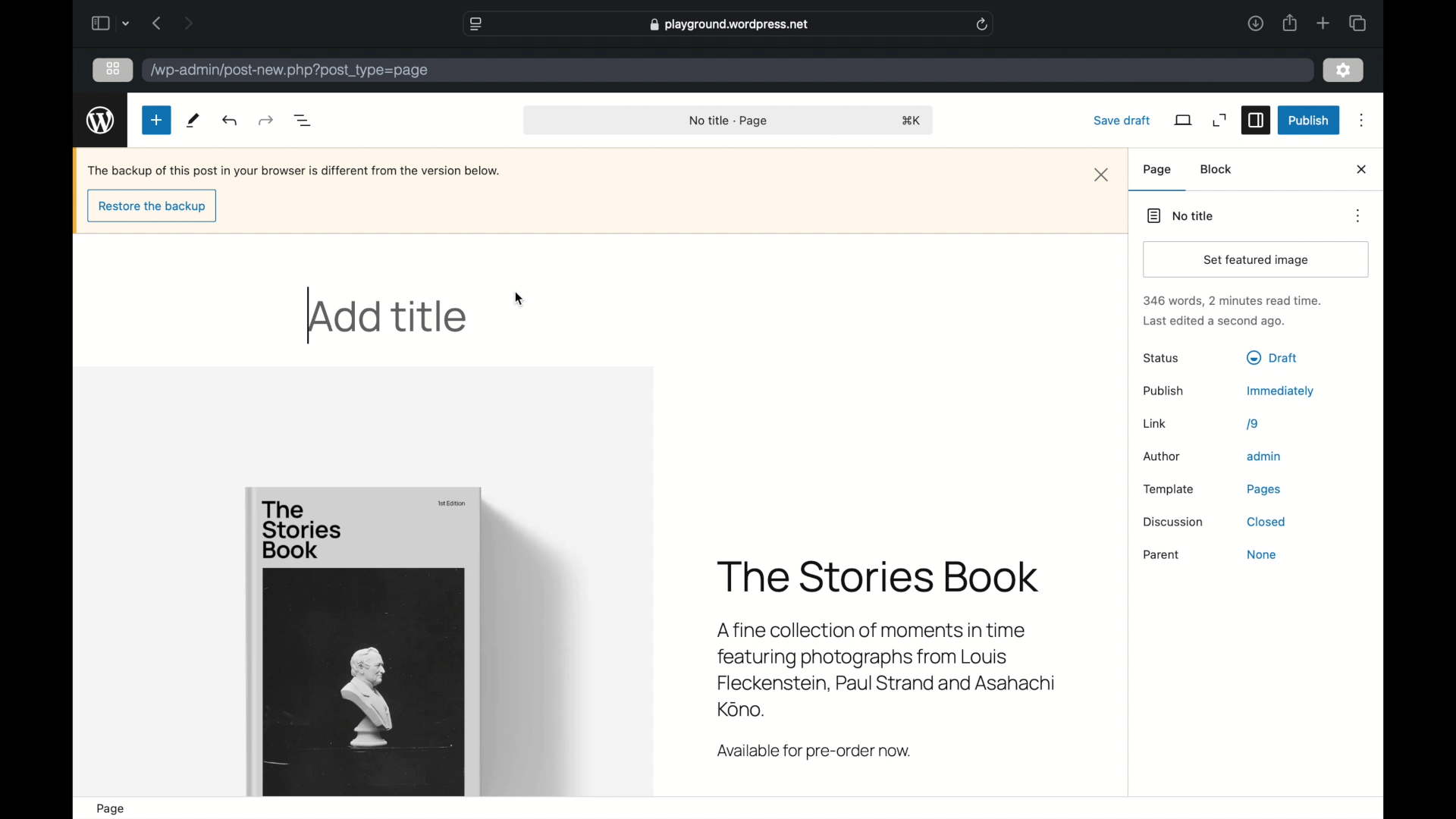 The height and width of the screenshot is (819, 1456). What do you see at coordinates (1272, 357) in the screenshot?
I see `draft` at bounding box center [1272, 357].